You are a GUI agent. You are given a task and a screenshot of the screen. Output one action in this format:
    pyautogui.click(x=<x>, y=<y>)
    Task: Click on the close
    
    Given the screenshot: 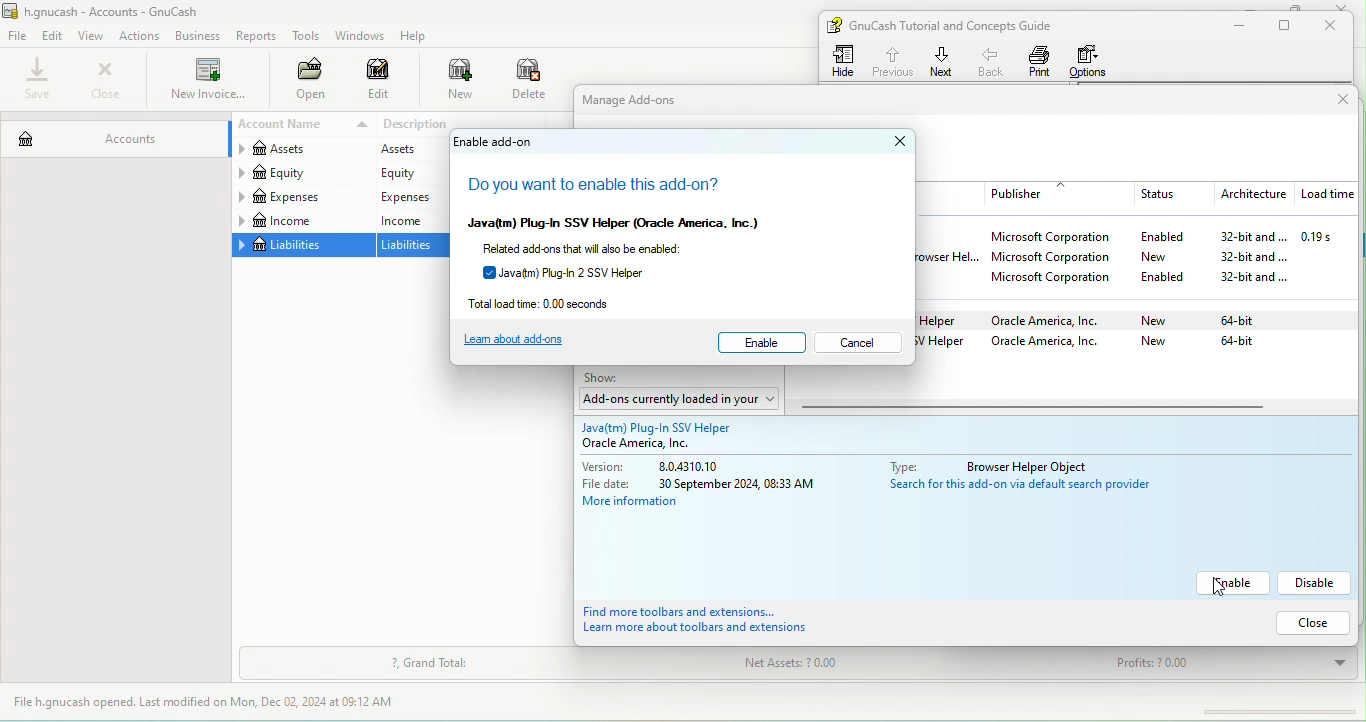 What is the action you would take?
    pyautogui.click(x=1336, y=26)
    